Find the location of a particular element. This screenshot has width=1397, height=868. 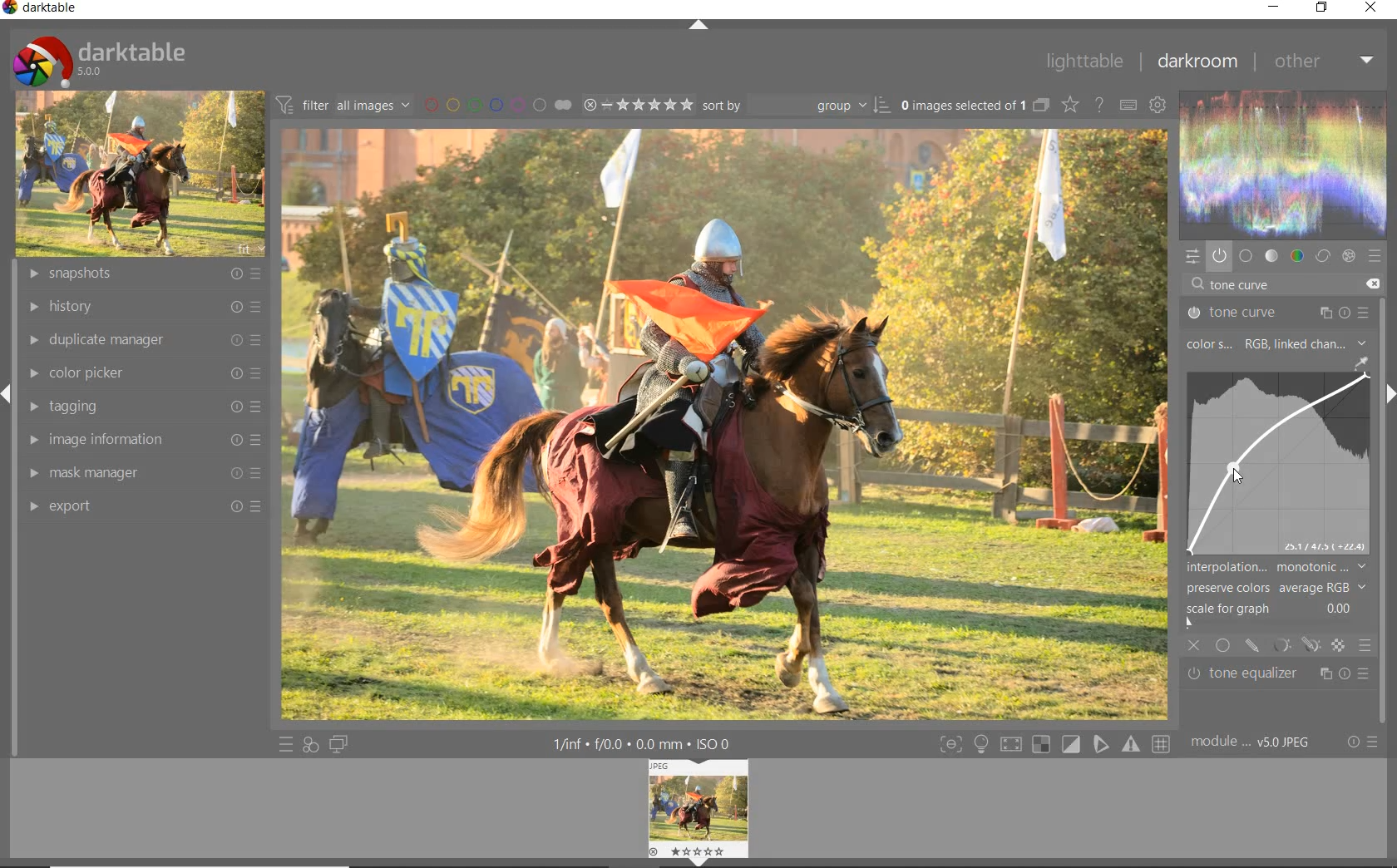

quick access for applying any of your styles is located at coordinates (309, 745).